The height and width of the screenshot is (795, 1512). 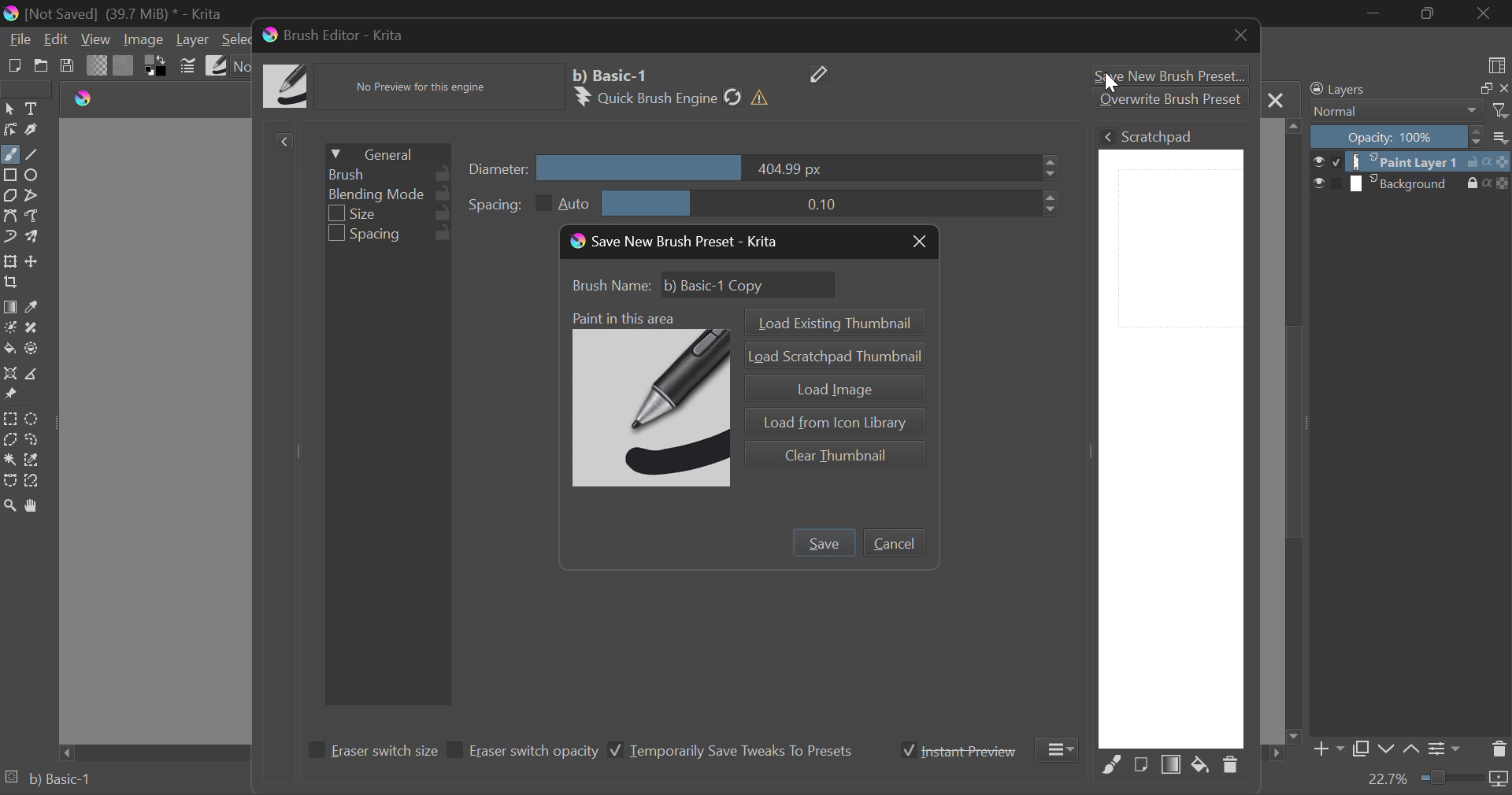 What do you see at coordinates (1276, 99) in the screenshot?
I see `Close` at bounding box center [1276, 99].